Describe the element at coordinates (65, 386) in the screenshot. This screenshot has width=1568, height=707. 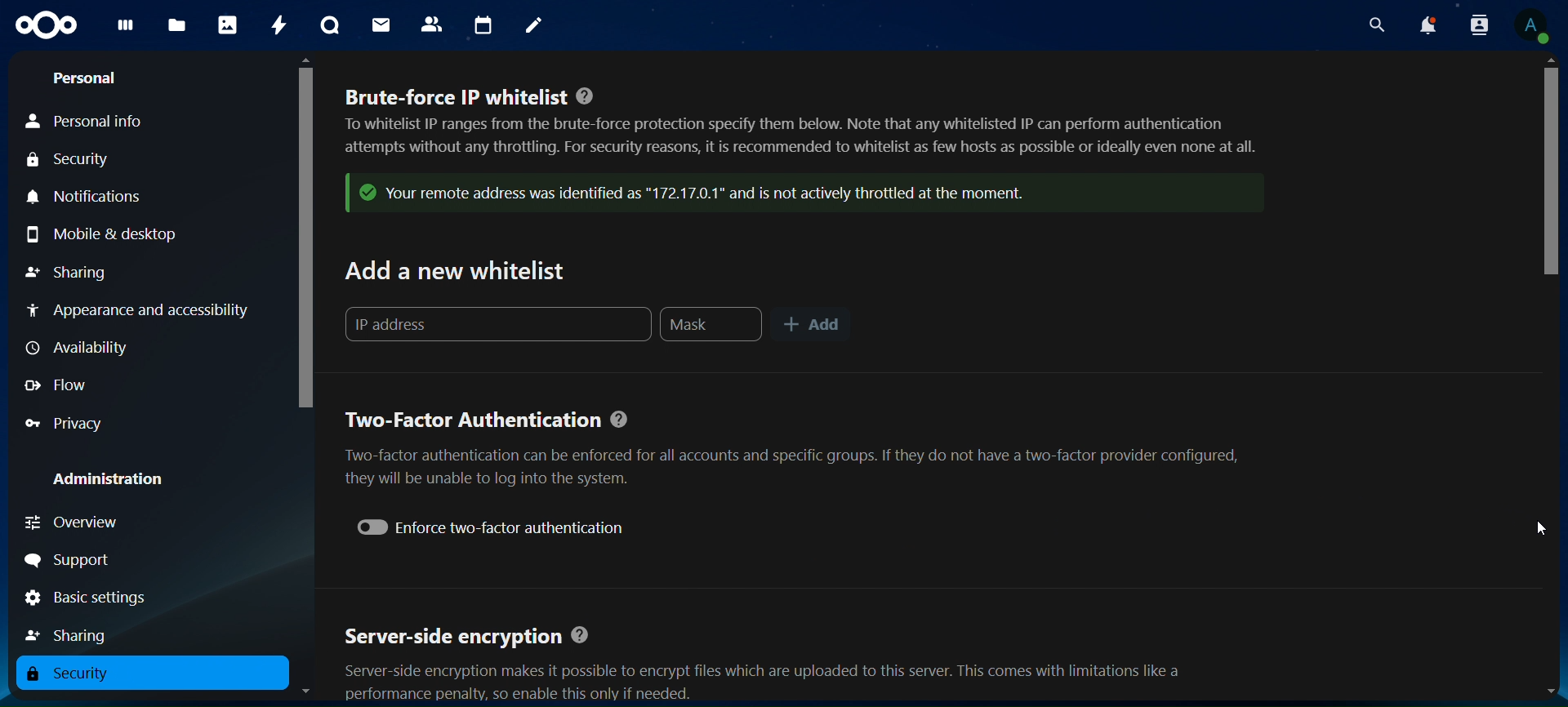
I see `flow` at that location.